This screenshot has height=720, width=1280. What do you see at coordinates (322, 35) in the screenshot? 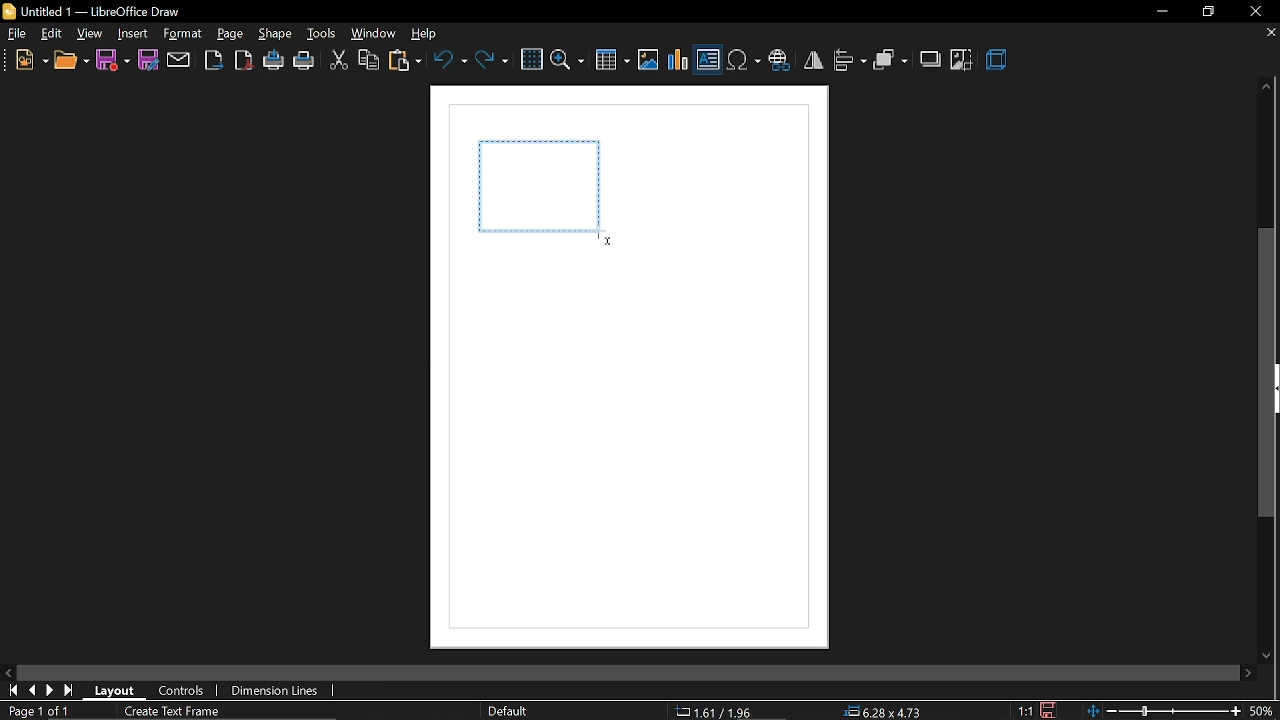
I see `tools` at bounding box center [322, 35].